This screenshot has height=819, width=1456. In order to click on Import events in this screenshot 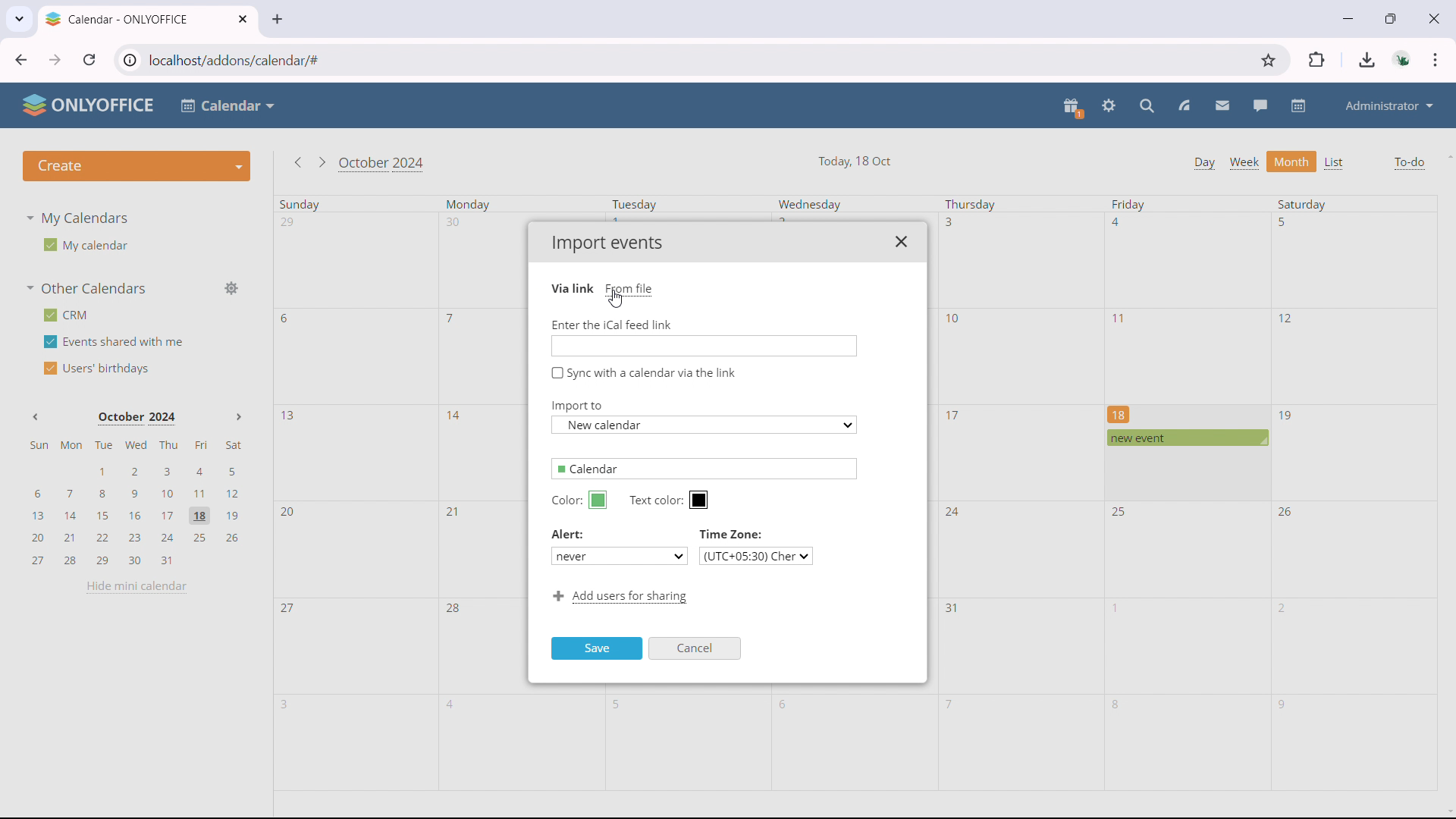, I will do `click(605, 243)`.